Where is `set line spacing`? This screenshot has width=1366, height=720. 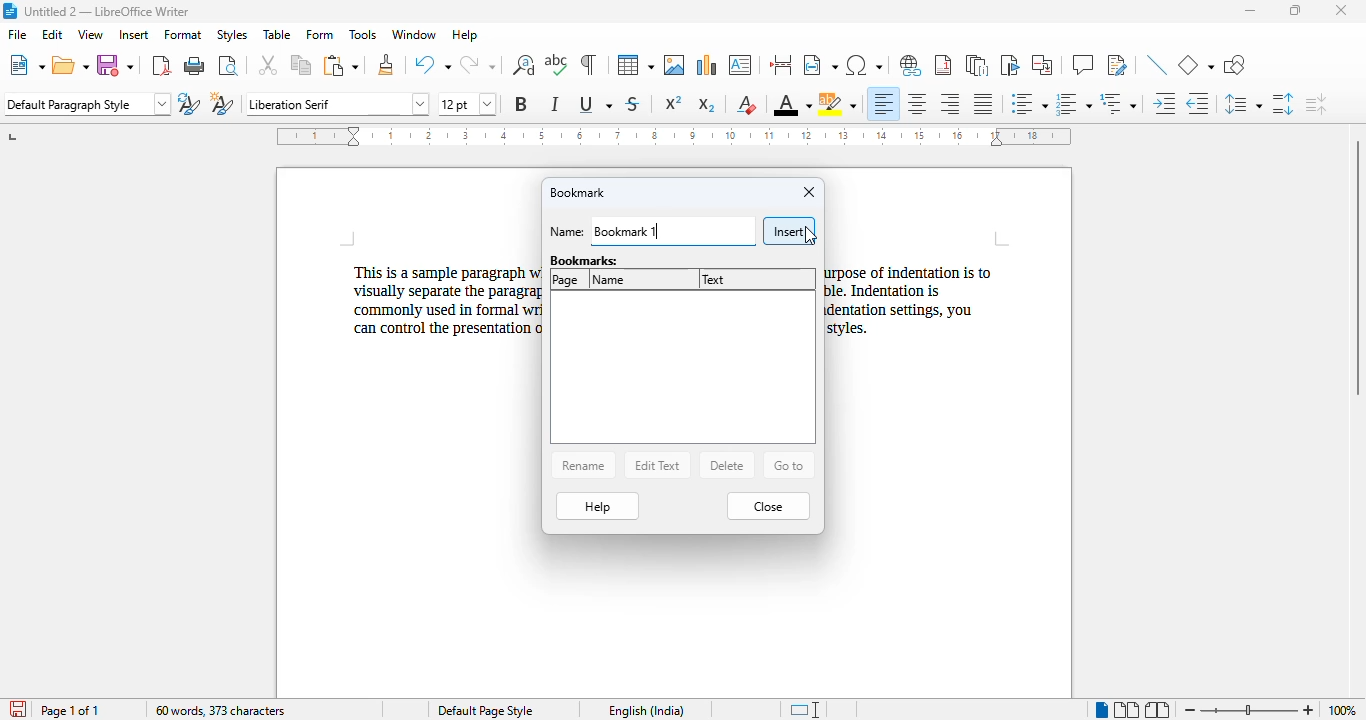 set line spacing is located at coordinates (1241, 103).